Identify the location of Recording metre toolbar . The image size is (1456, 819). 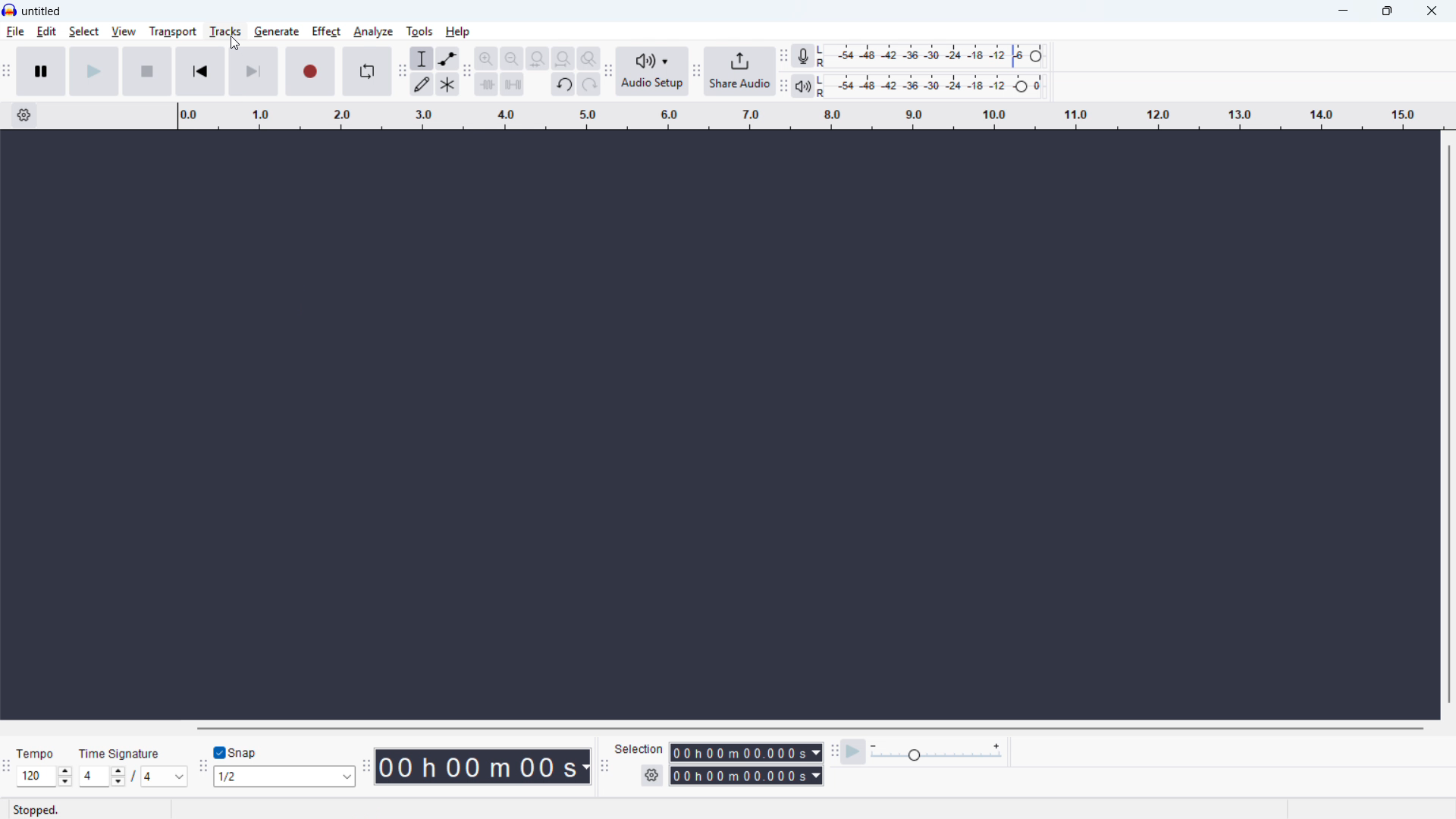
(803, 55).